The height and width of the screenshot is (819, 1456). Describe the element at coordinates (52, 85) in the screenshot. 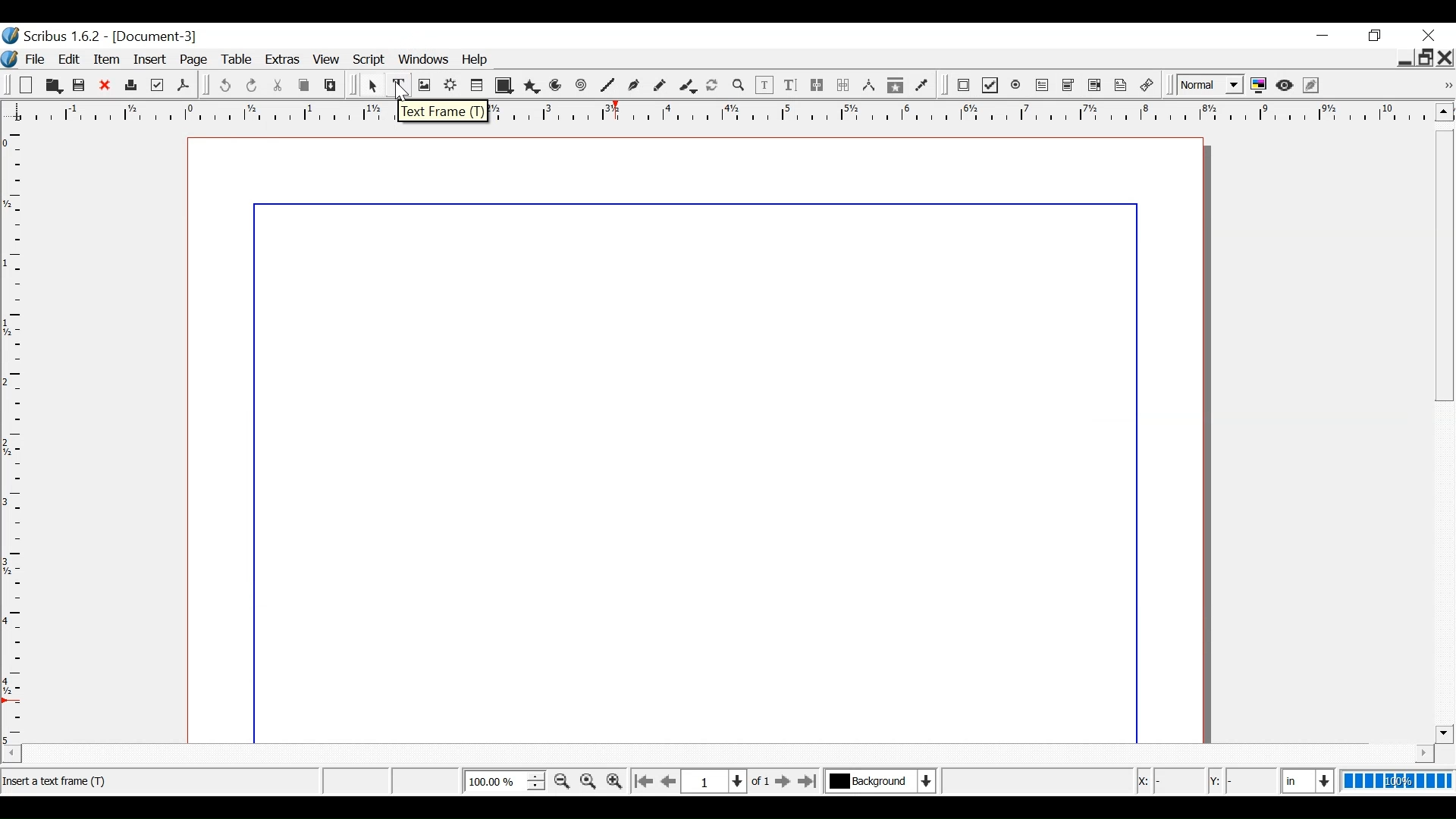

I see `Open` at that location.